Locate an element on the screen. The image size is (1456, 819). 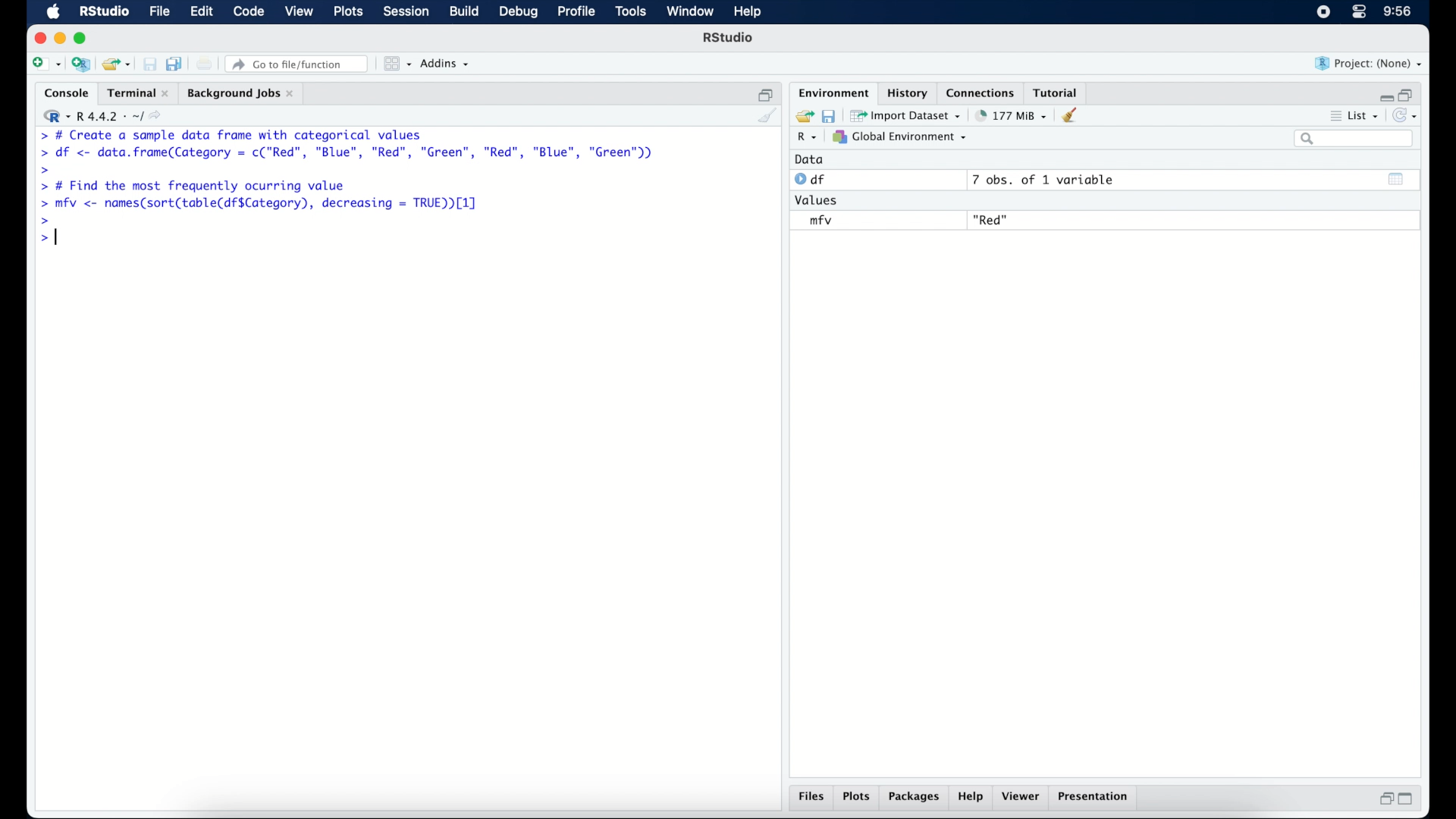
command prompt is located at coordinates (38, 135).